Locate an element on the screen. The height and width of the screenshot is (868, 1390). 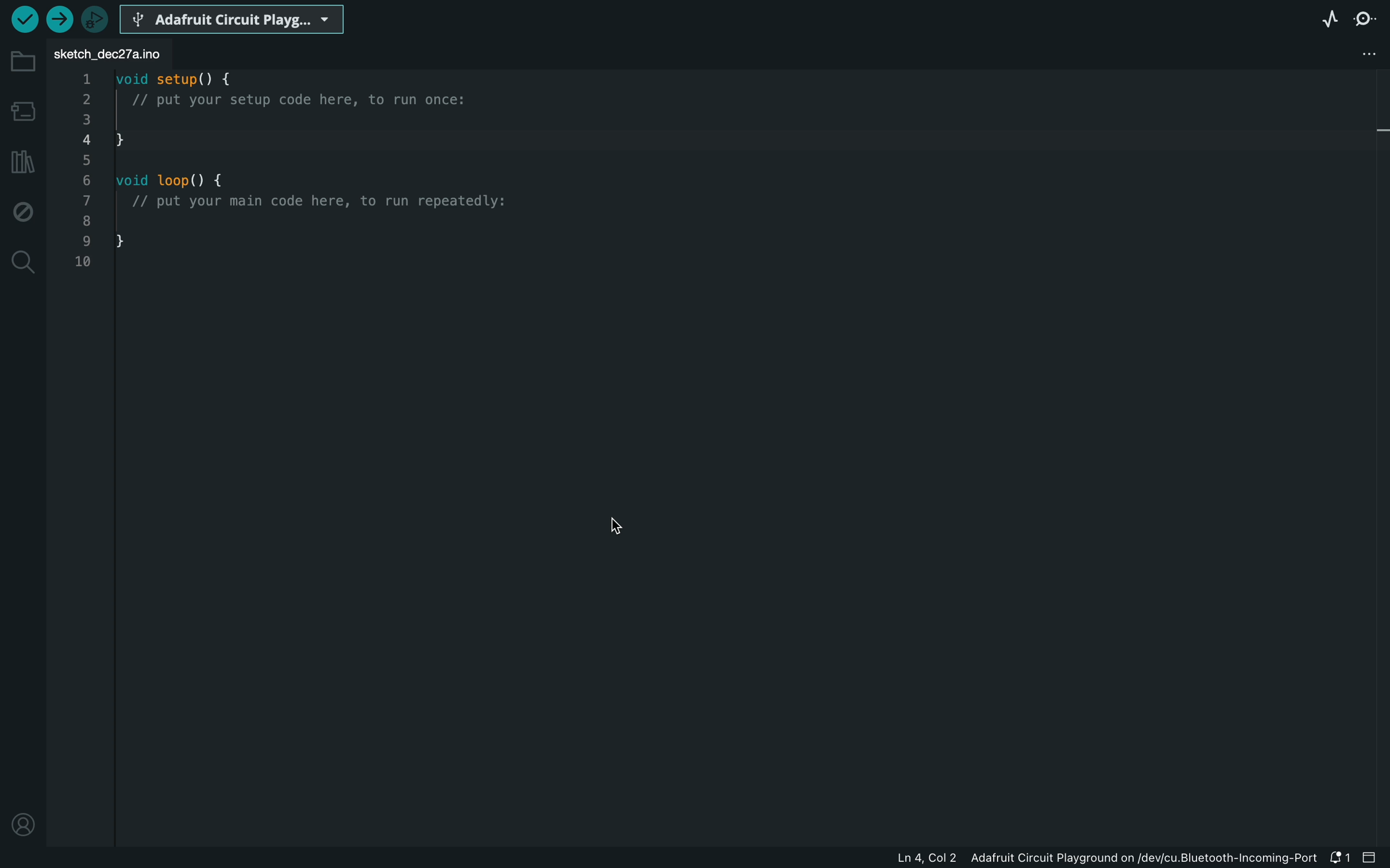
folder is located at coordinates (23, 62).